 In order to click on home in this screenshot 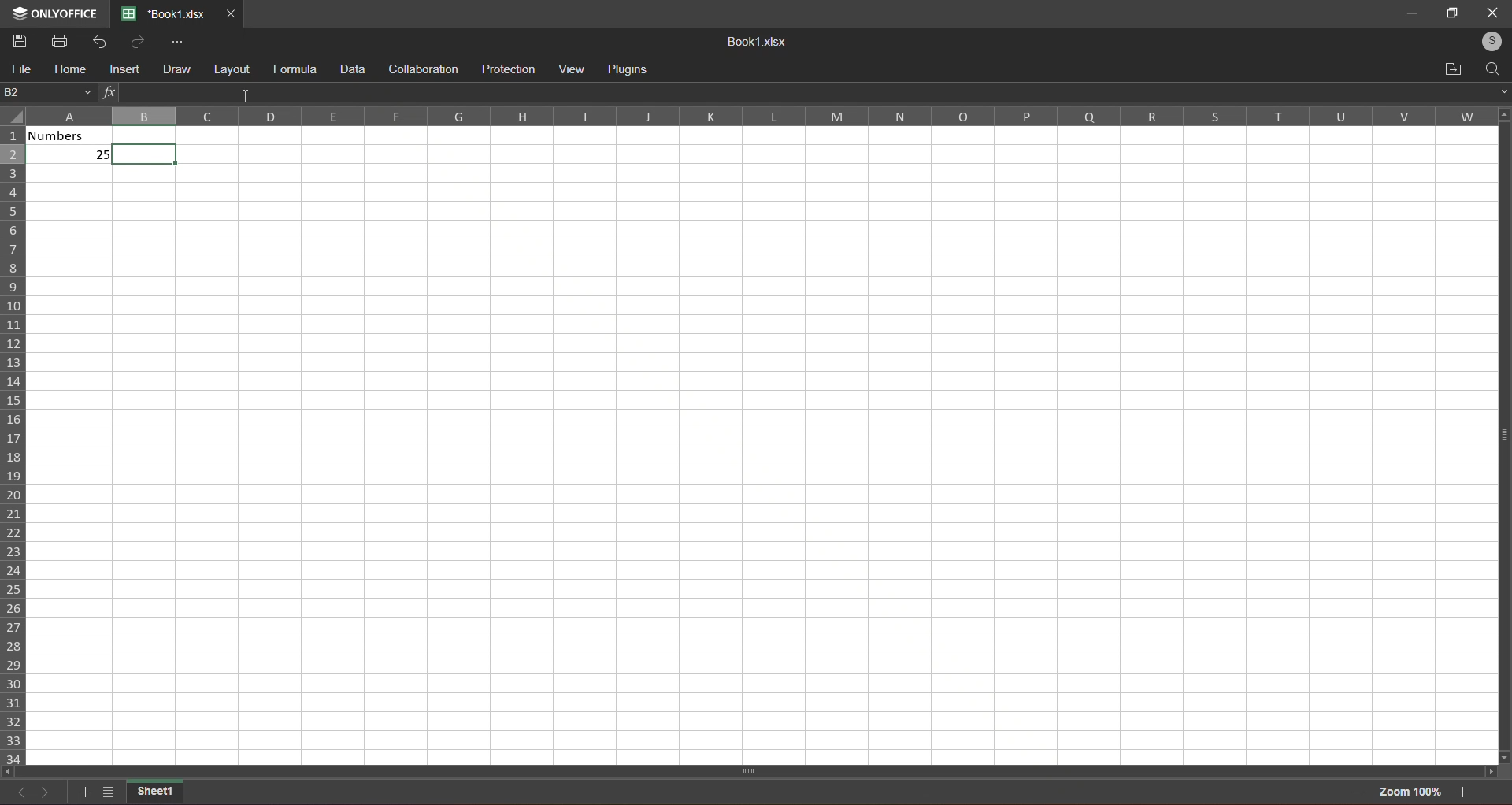, I will do `click(66, 70)`.